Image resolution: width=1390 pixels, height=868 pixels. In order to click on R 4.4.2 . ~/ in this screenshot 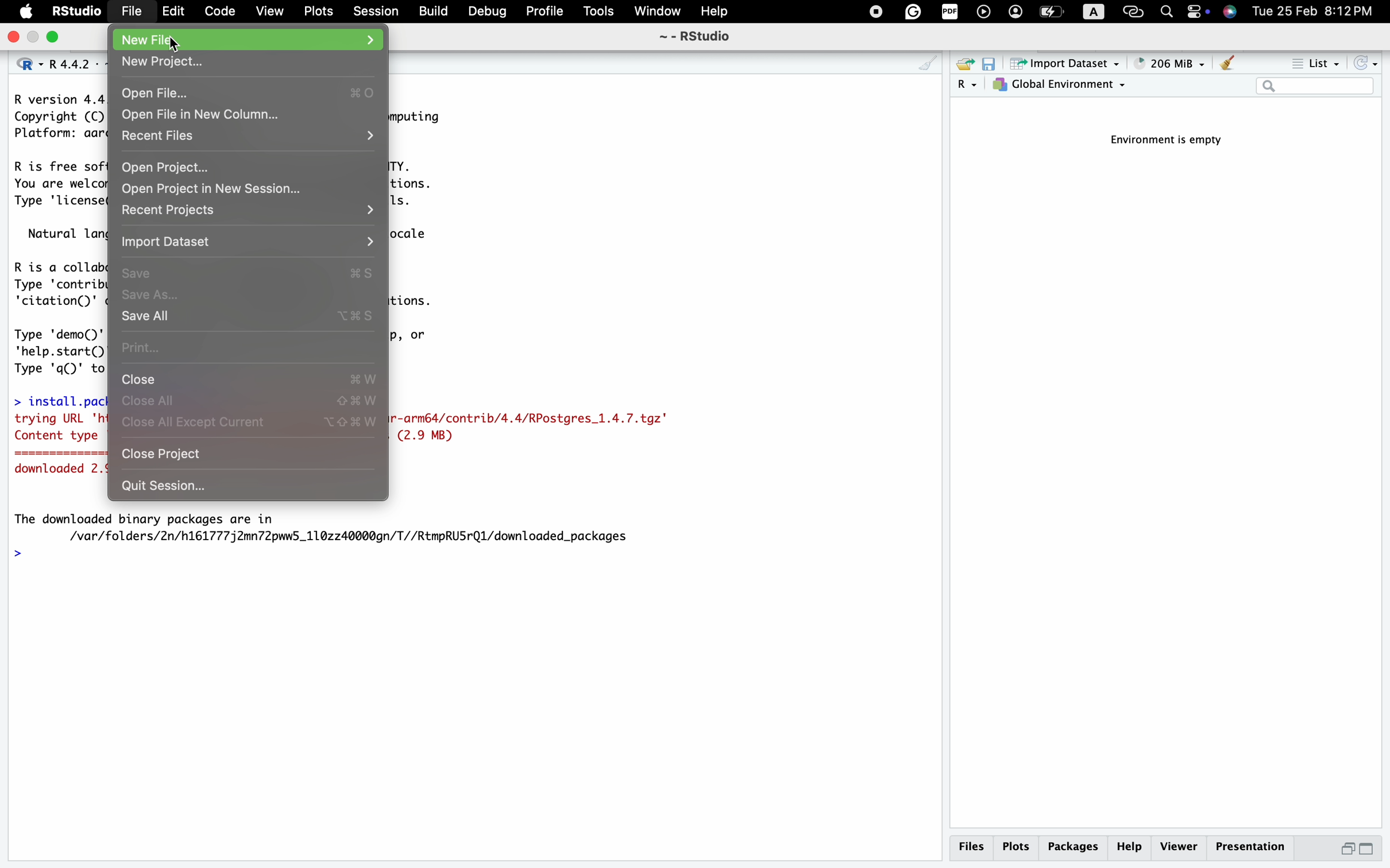, I will do `click(72, 63)`.